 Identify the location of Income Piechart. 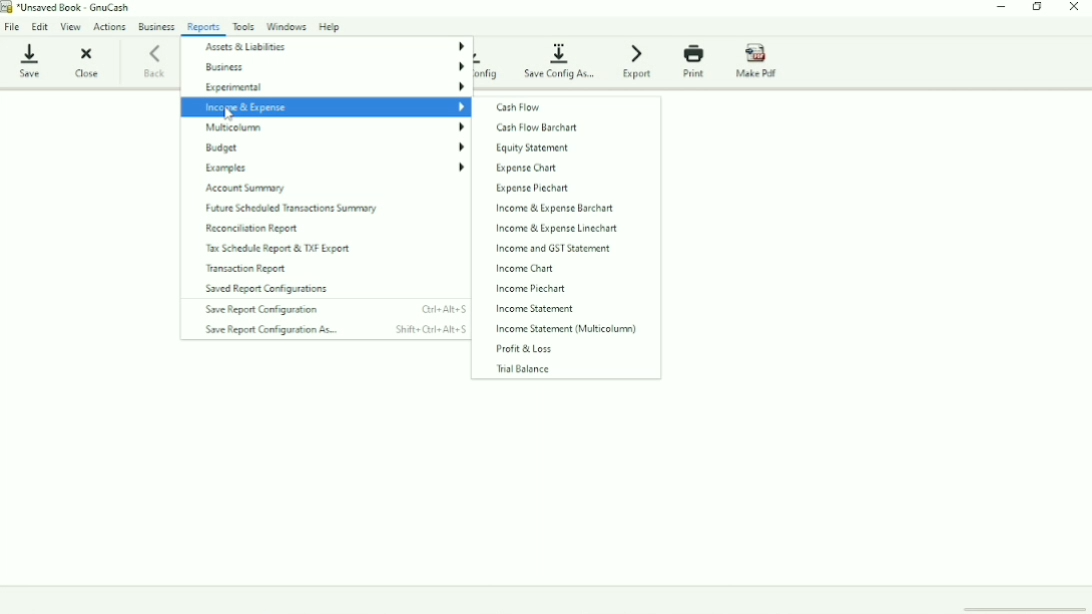
(530, 289).